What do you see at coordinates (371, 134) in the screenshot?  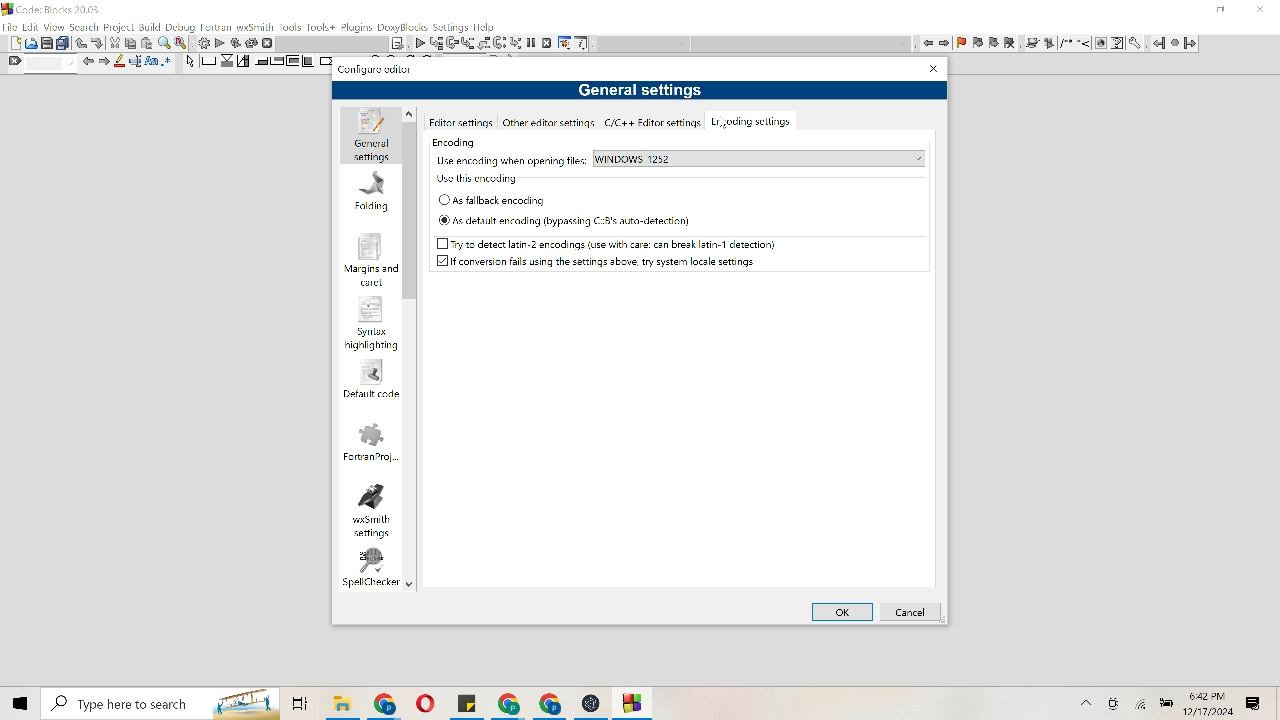 I see `General settings` at bounding box center [371, 134].